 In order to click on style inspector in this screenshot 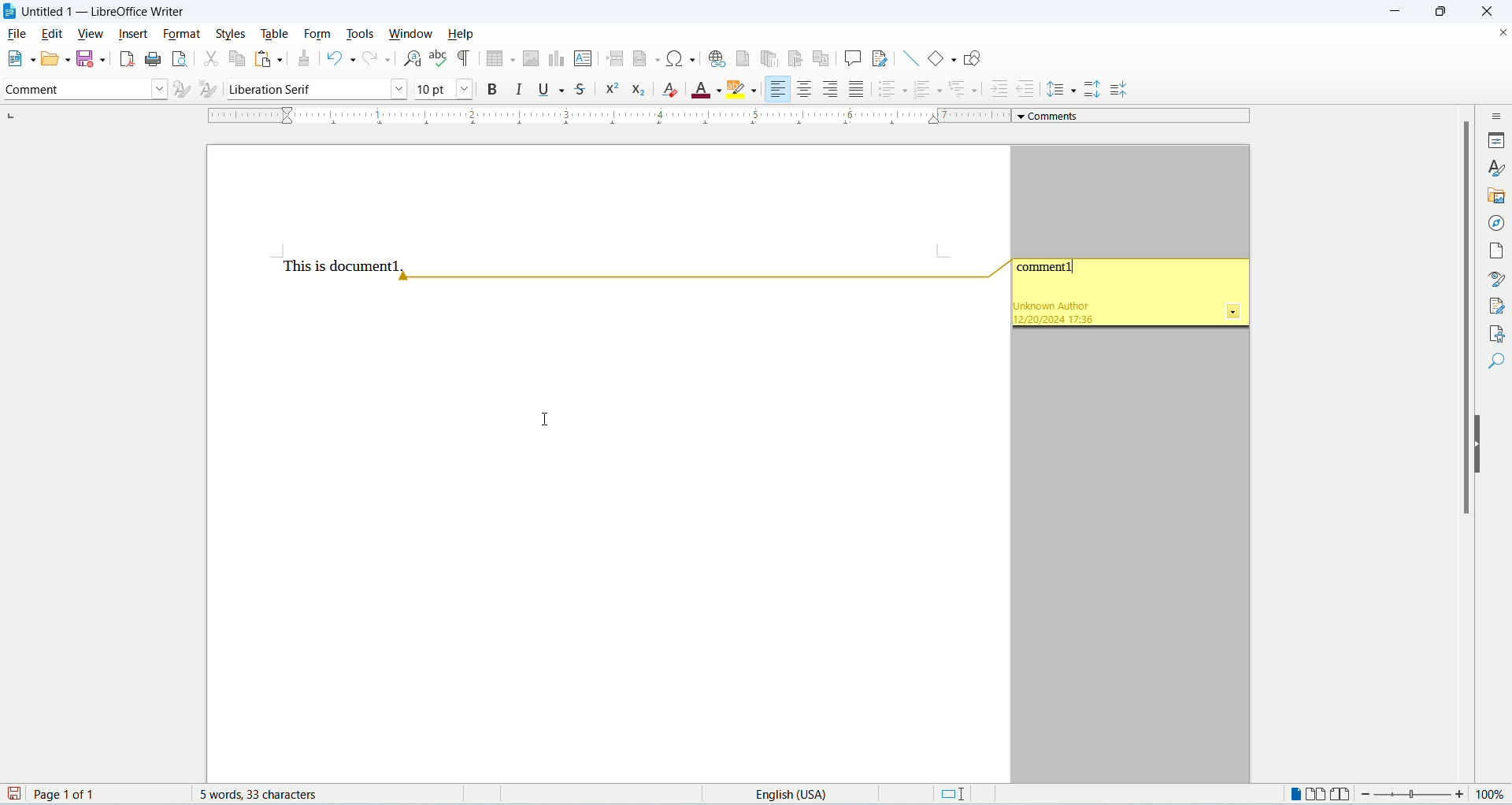, I will do `click(1494, 280)`.